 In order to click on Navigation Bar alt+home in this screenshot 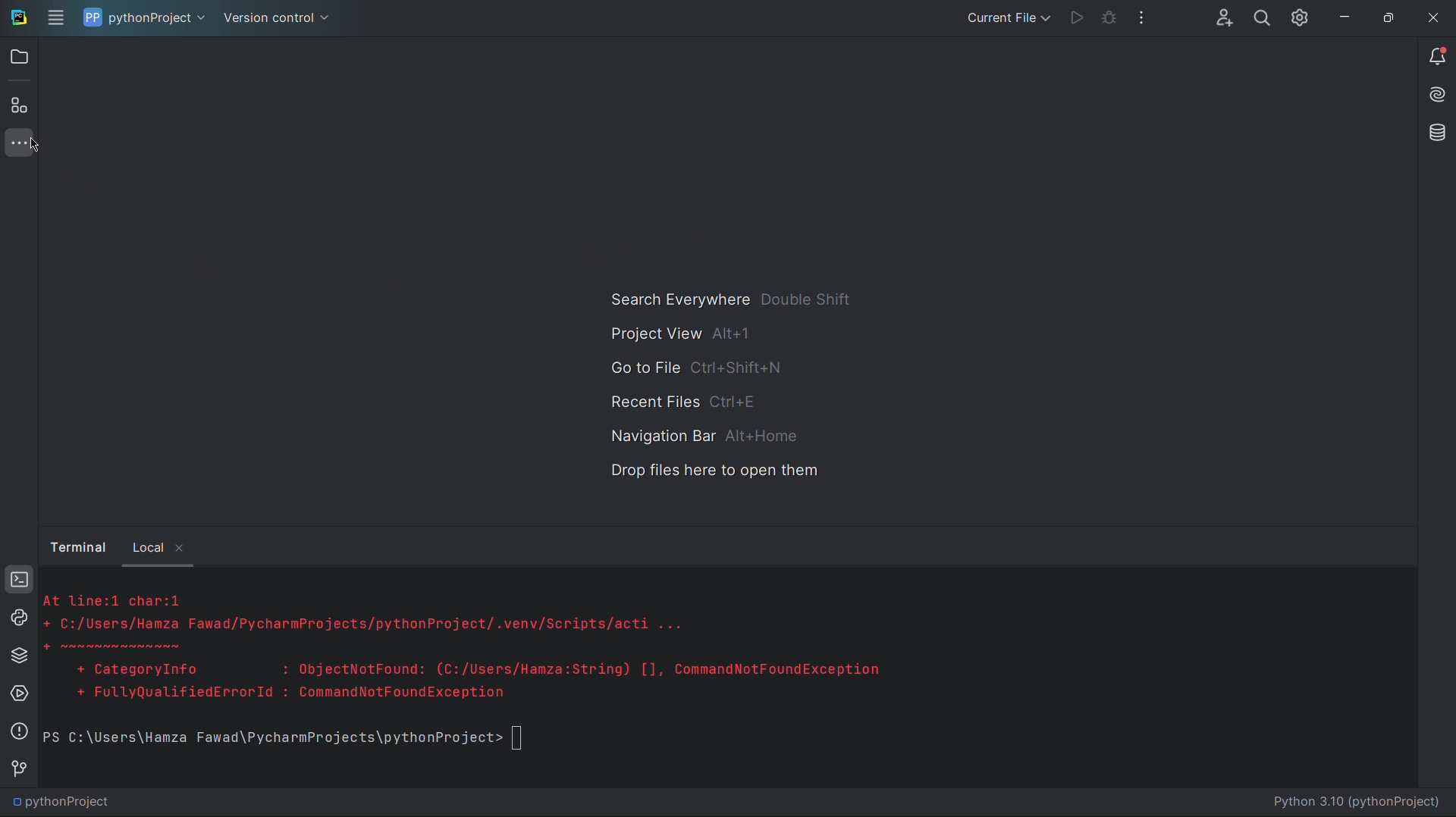, I will do `click(699, 436)`.